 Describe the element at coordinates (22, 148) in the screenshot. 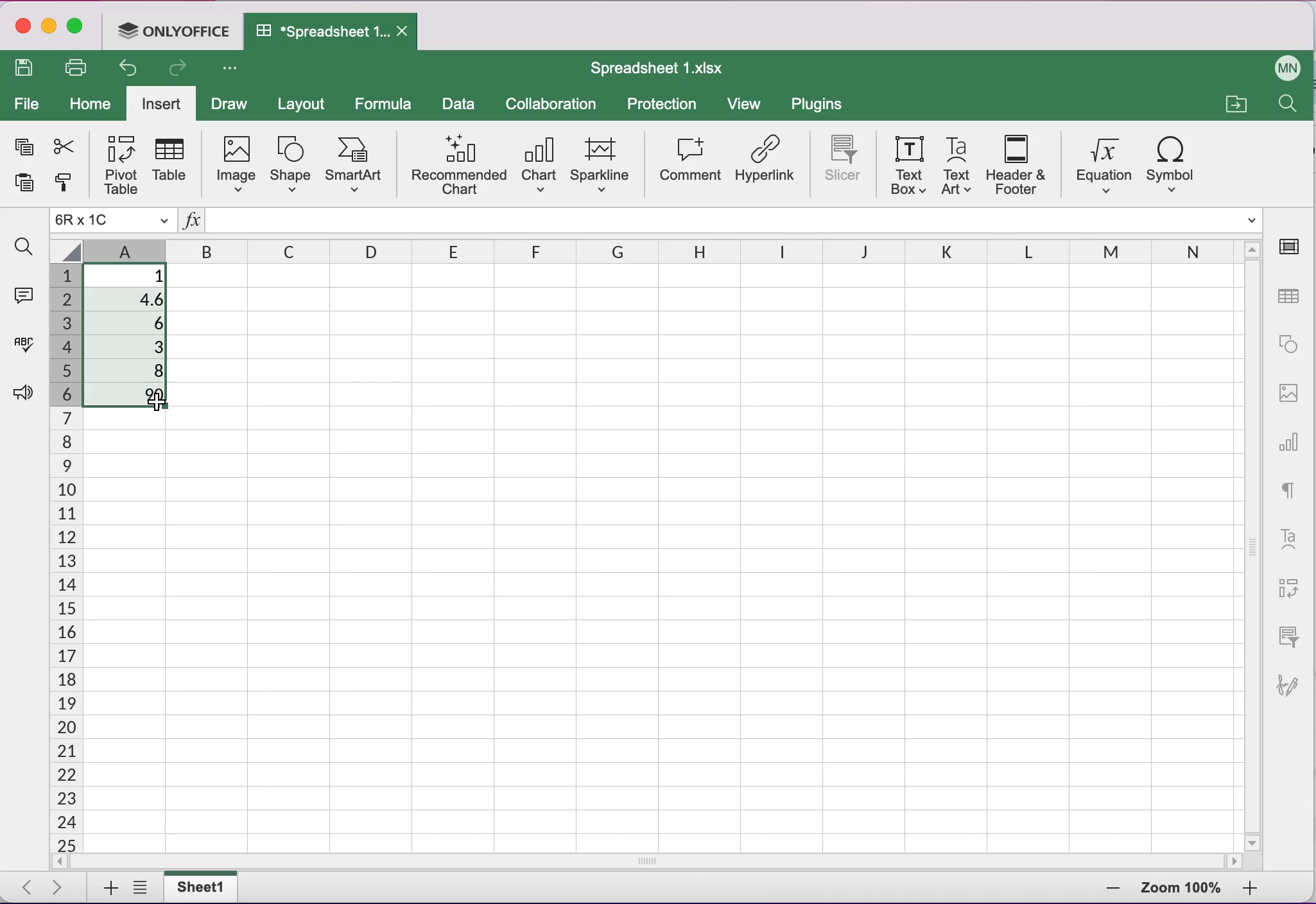

I see `copy` at that location.